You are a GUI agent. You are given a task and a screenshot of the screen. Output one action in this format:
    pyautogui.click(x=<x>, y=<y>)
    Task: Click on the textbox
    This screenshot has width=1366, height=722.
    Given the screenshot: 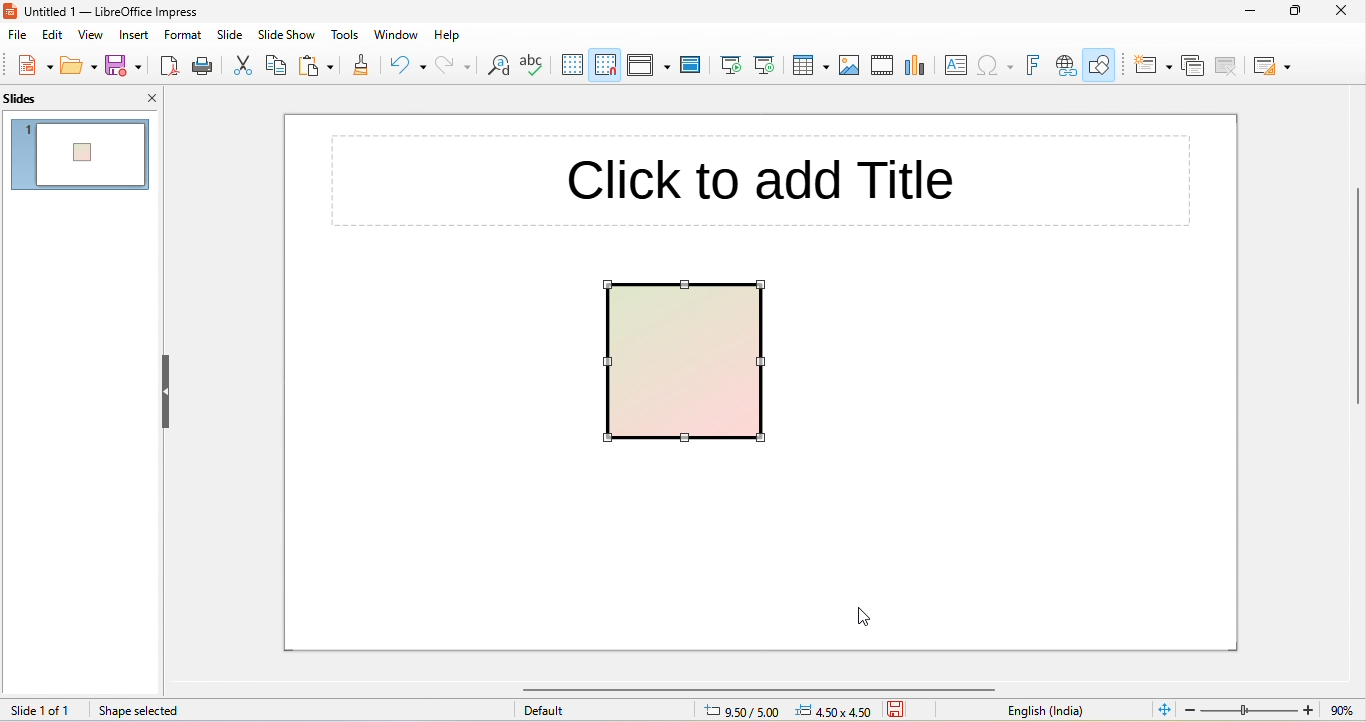 What is the action you would take?
    pyautogui.click(x=954, y=65)
    